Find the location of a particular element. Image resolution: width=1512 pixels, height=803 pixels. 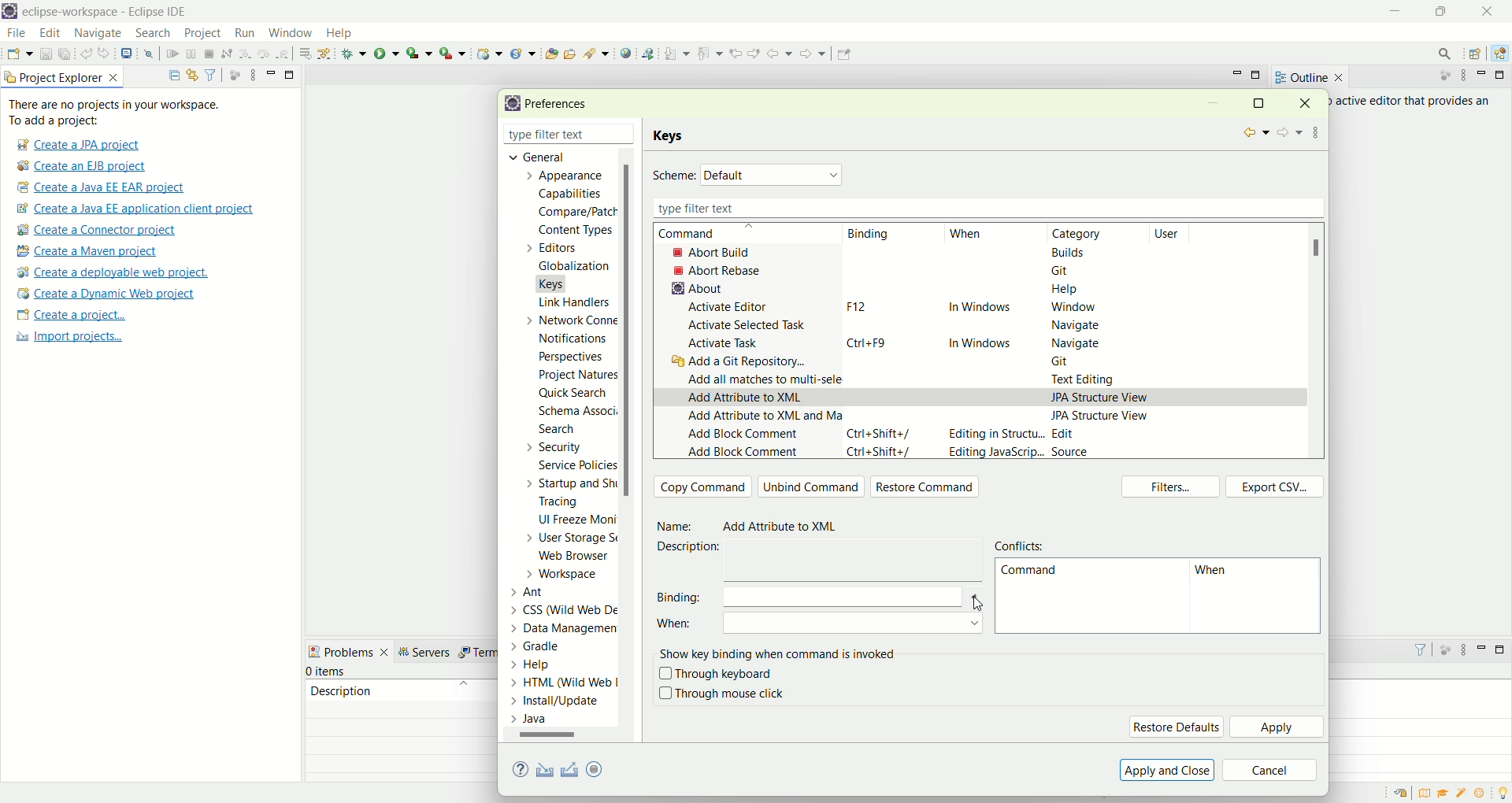

add block comment is located at coordinates (743, 436).